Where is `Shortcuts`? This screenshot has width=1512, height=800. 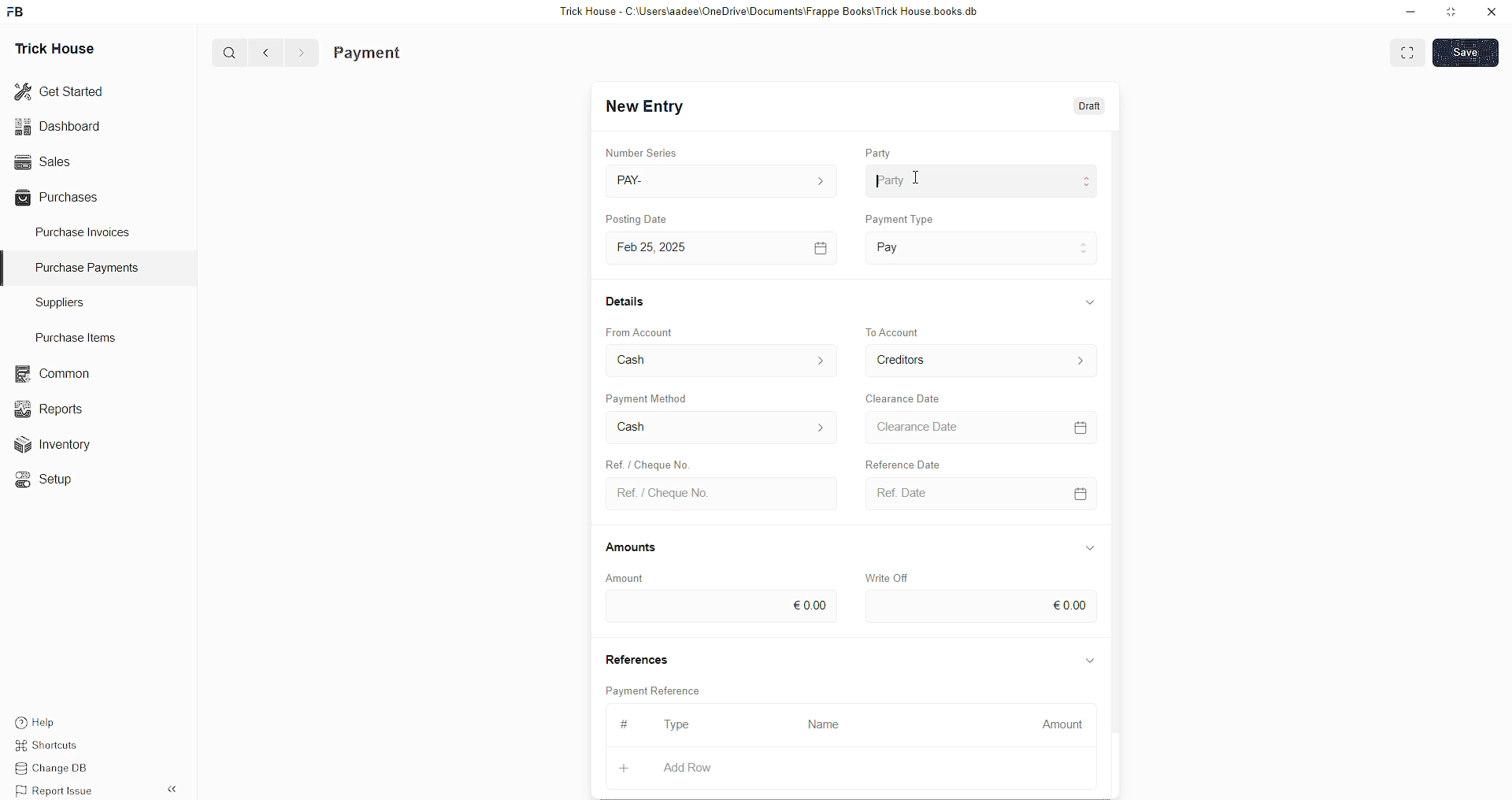 Shortcuts is located at coordinates (56, 747).